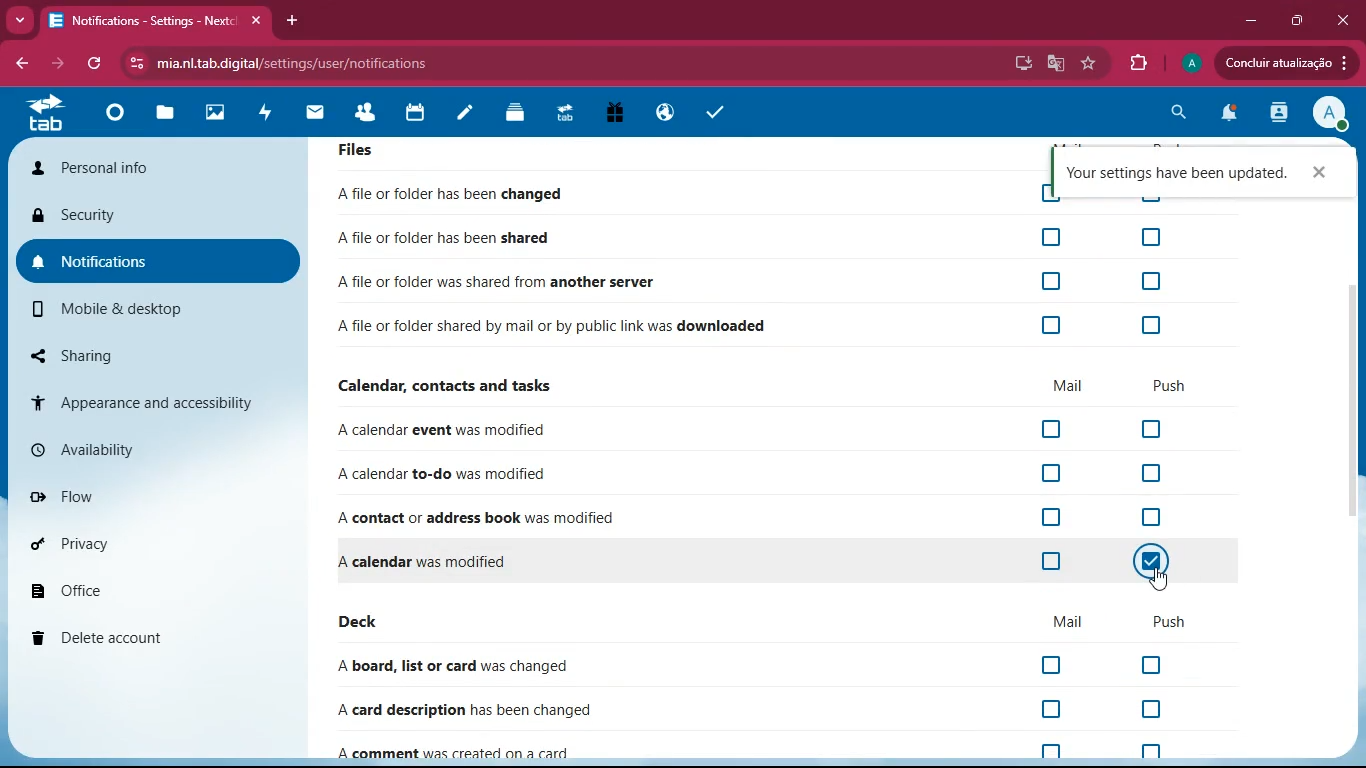  Describe the element at coordinates (222, 115) in the screenshot. I see `images` at that location.